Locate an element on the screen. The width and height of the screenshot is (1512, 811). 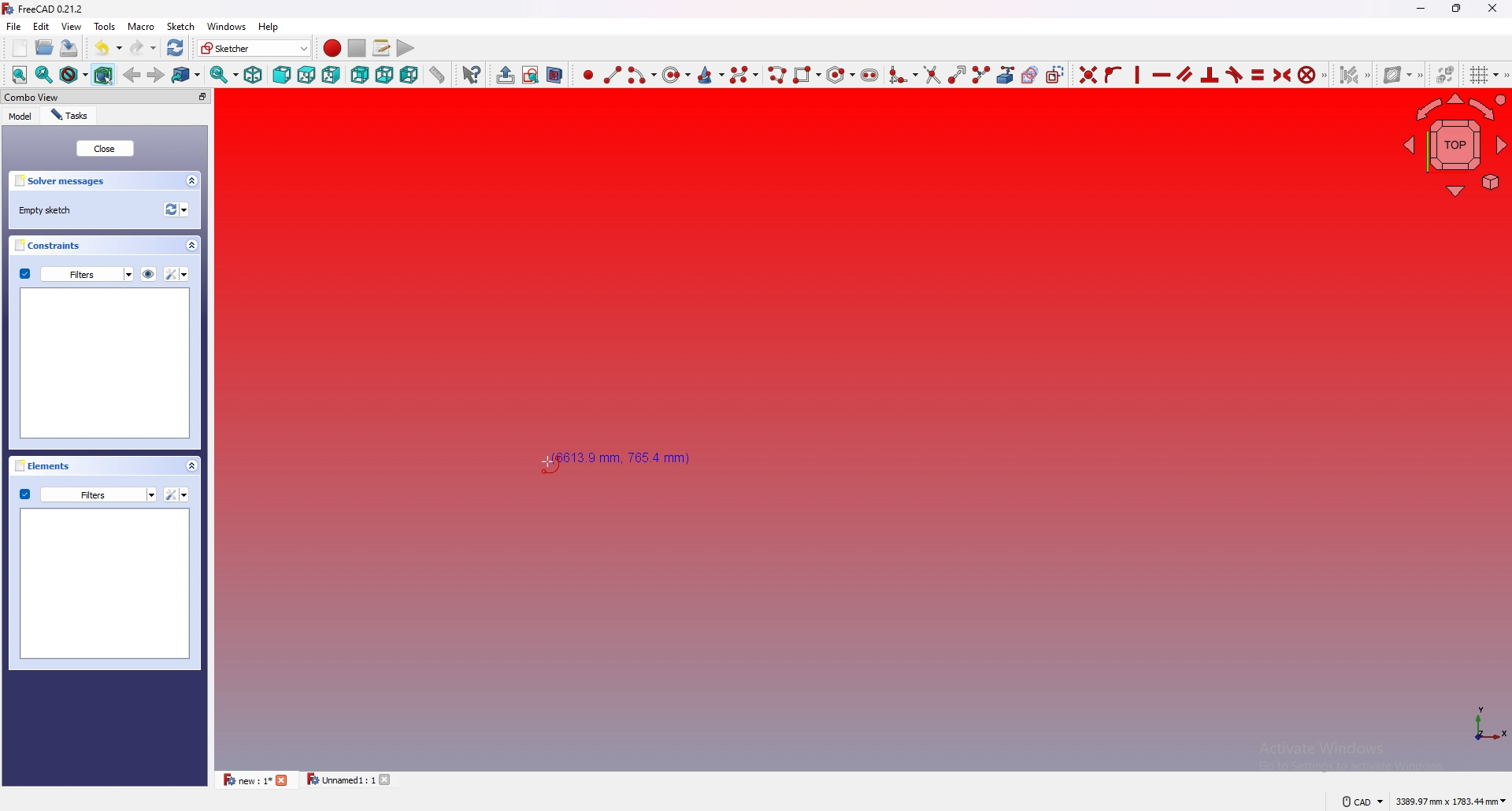
collapse is located at coordinates (192, 181).